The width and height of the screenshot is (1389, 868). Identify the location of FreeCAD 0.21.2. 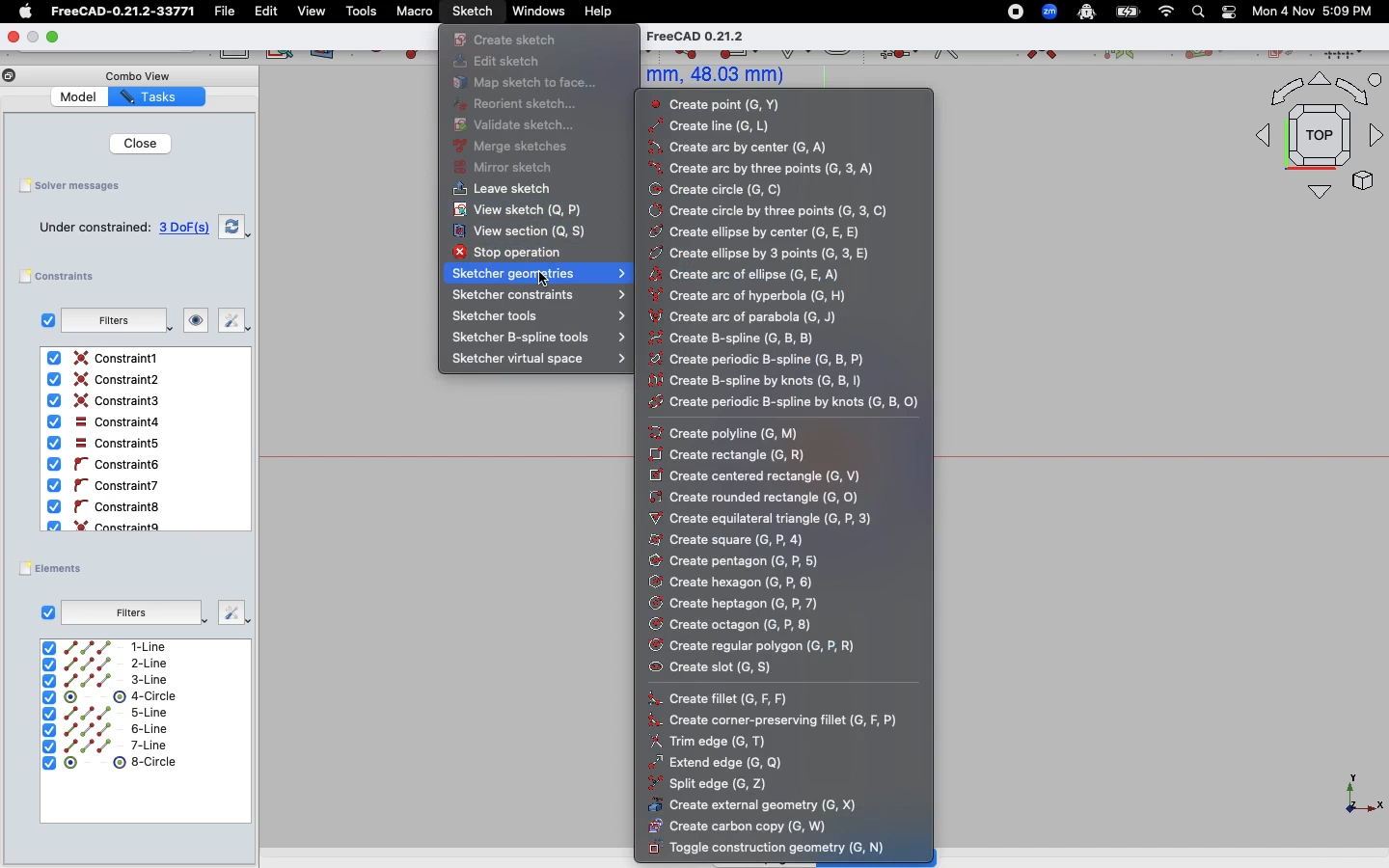
(723, 36).